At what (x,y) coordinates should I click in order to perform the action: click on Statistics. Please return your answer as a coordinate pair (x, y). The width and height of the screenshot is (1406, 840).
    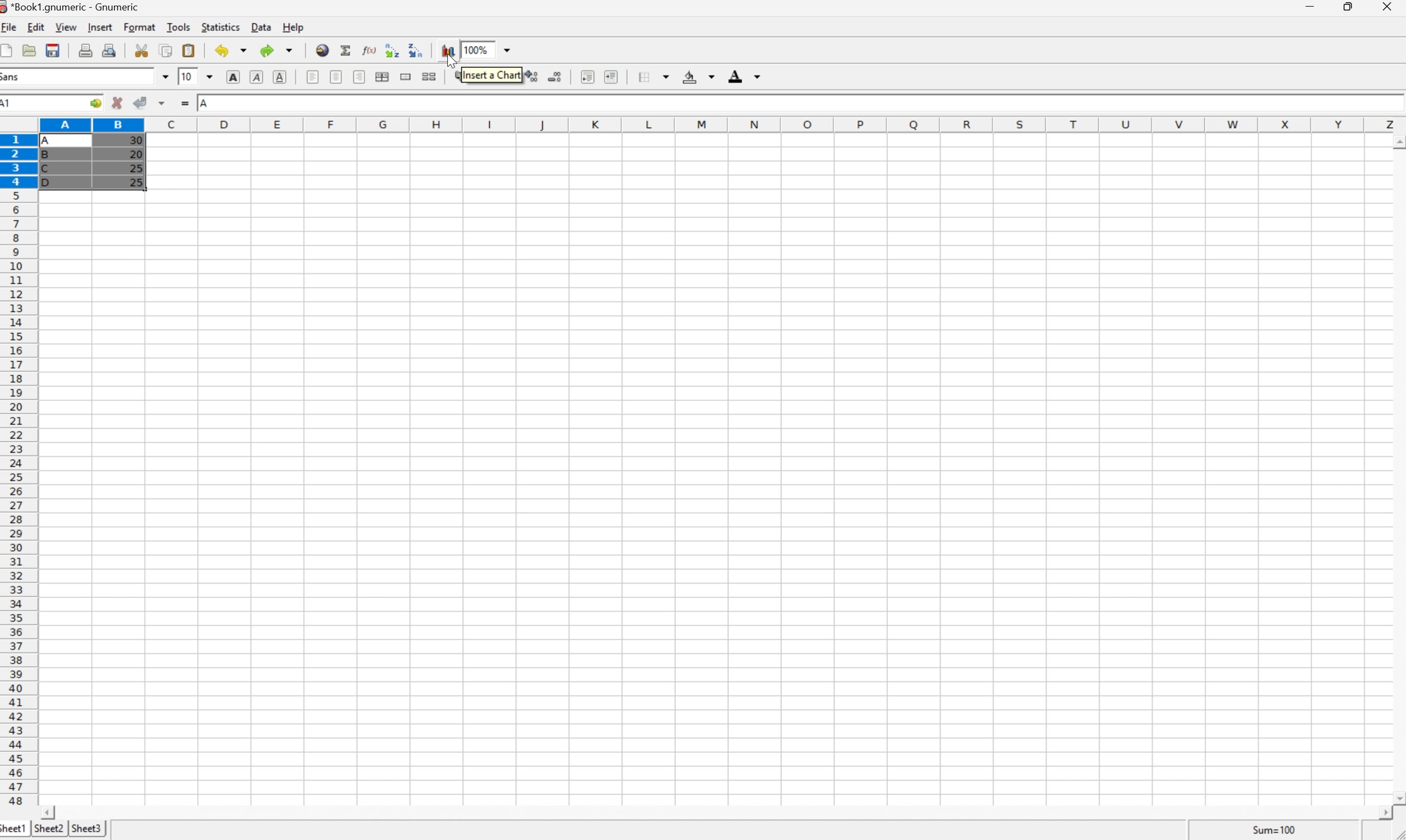
    Looking at the image, I should click on (221, 27).